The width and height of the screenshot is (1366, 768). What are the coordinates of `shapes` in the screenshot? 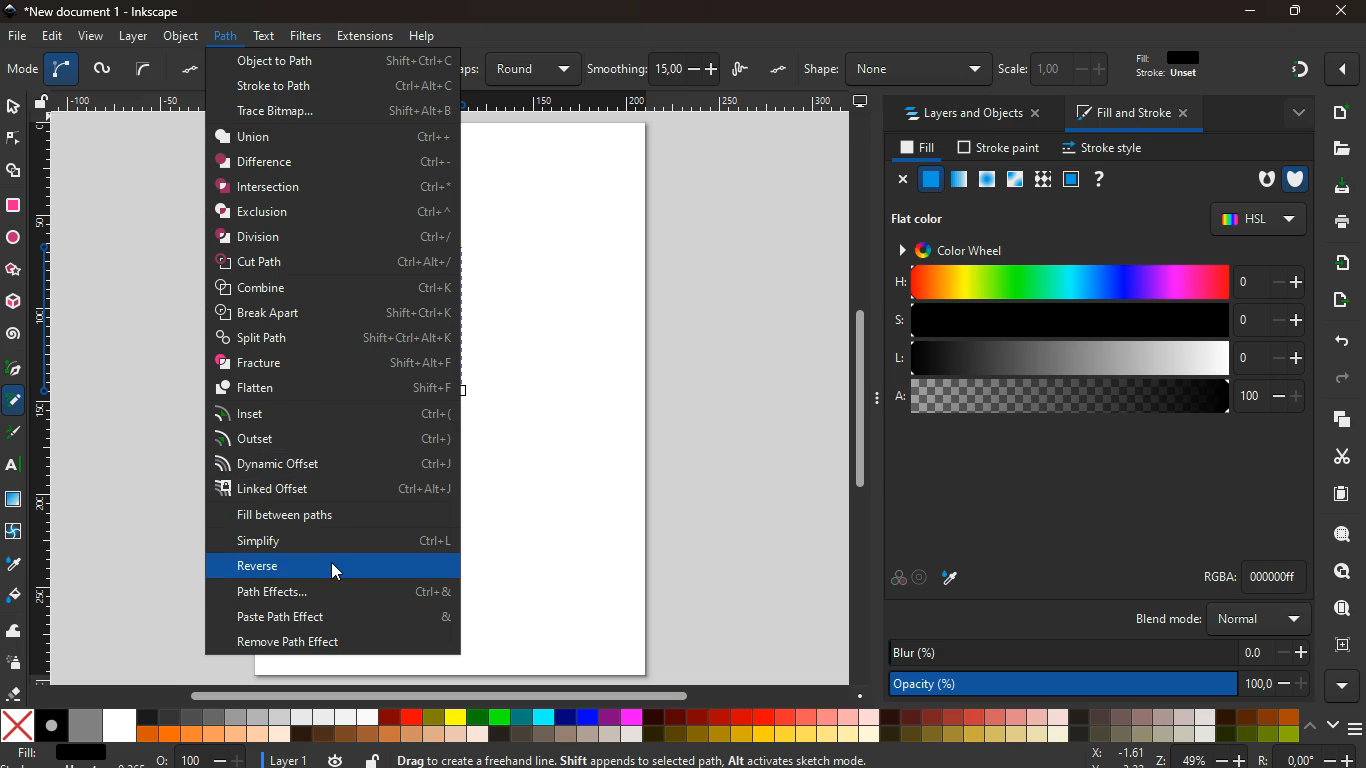 It's located at (15, 172).